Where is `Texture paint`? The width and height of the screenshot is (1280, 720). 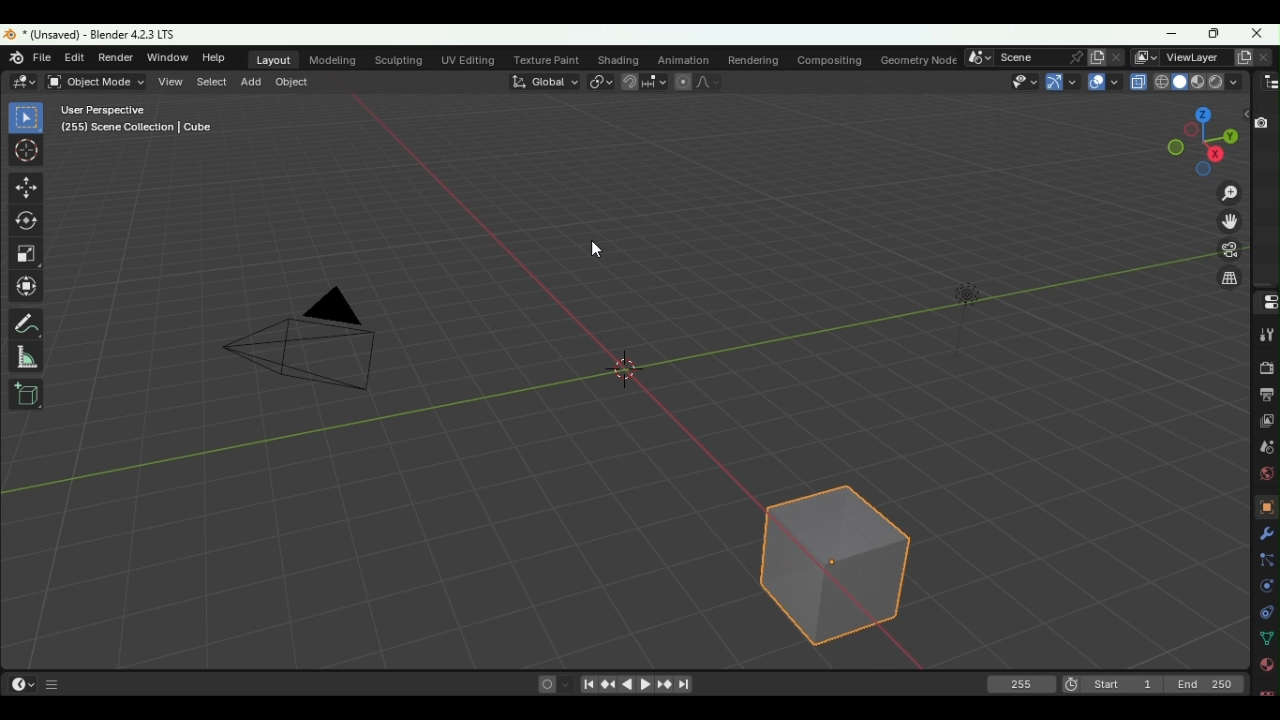
Texture paint is located at coordinates (551, 59).